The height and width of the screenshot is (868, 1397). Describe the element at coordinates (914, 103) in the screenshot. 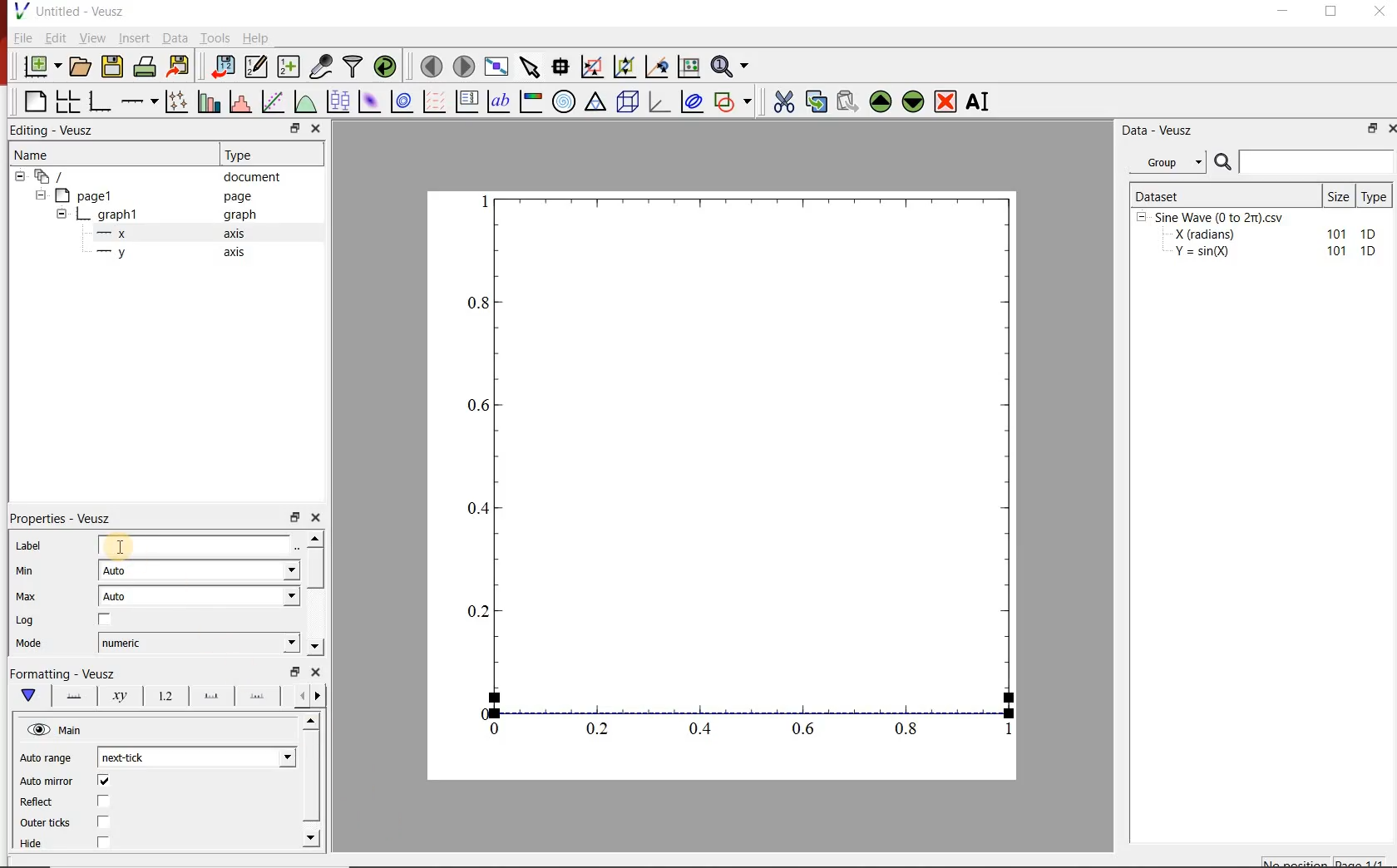

I see `move down` at that location.